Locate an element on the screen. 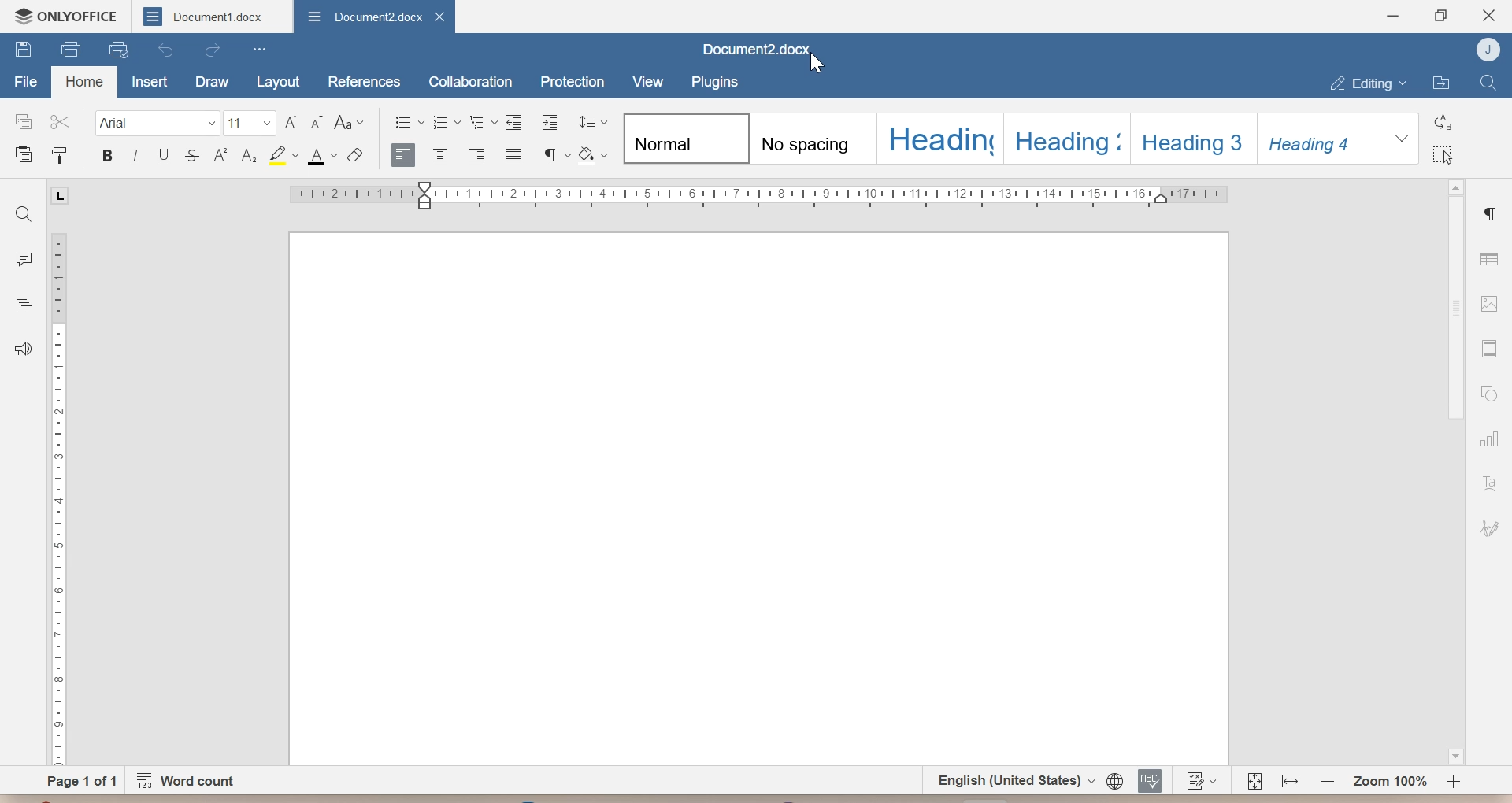 The height and width of the screenshot is (803, 1512). Nonprinting characters is located at coordinates (555, 154).